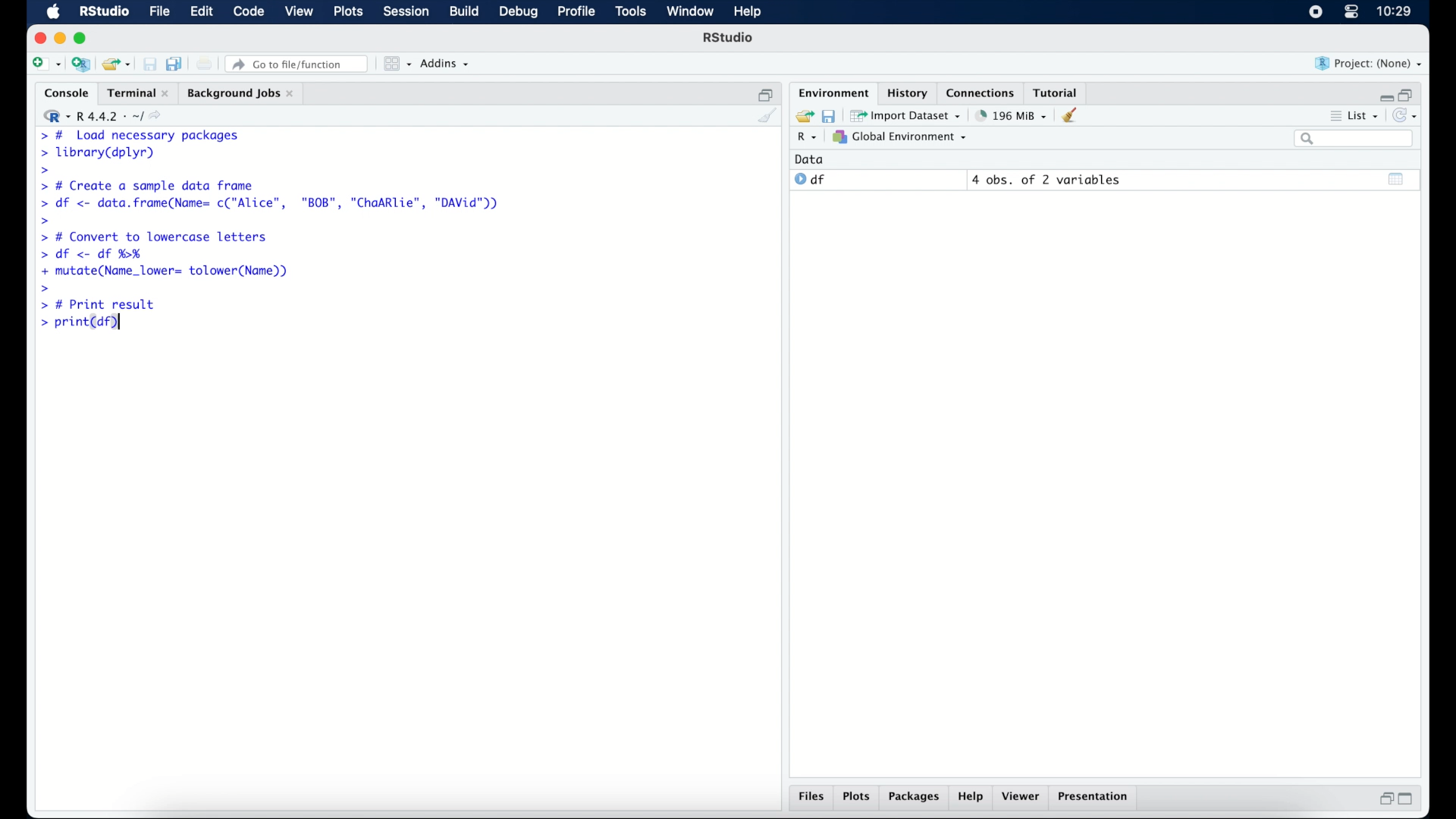 This screenshot has height=819, width=1456. What do you see at coordinates (906, 92) in the screenshot?
I see `history` at bounding box center [906, 92].